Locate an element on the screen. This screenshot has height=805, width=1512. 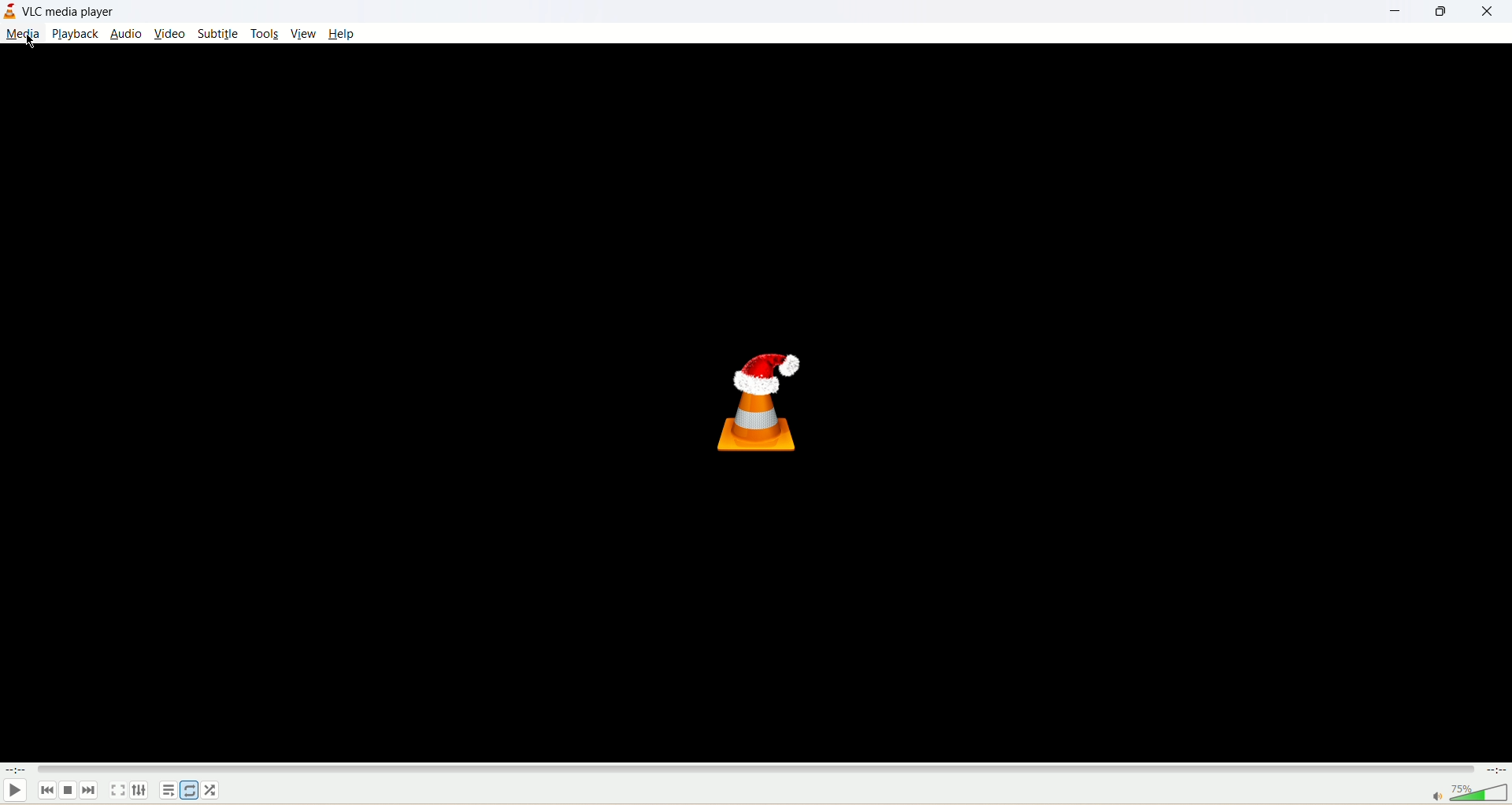
close is located at coordinates (1487, 12).